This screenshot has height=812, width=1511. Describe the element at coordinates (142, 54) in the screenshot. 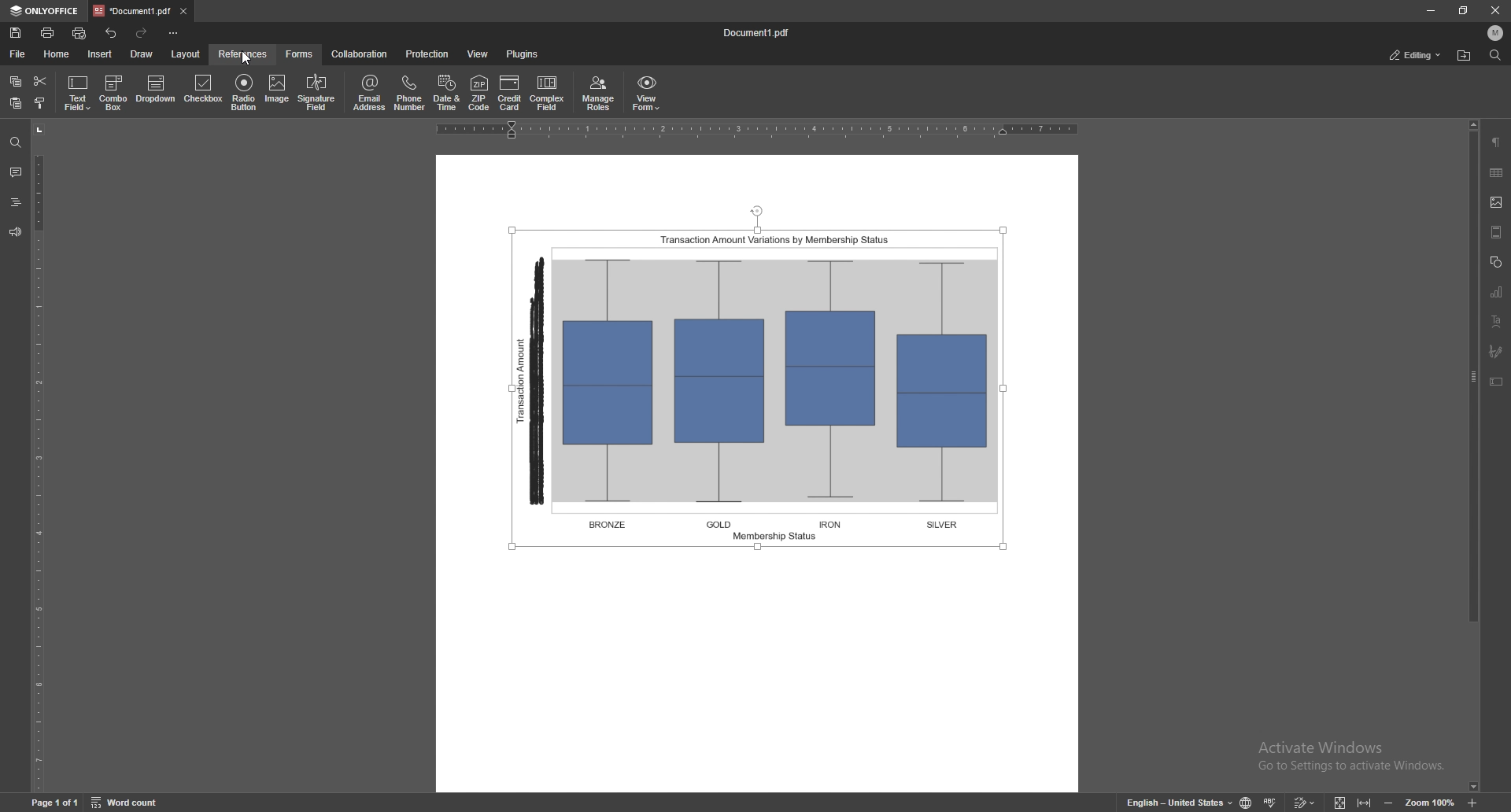

I see `draw` at that location.